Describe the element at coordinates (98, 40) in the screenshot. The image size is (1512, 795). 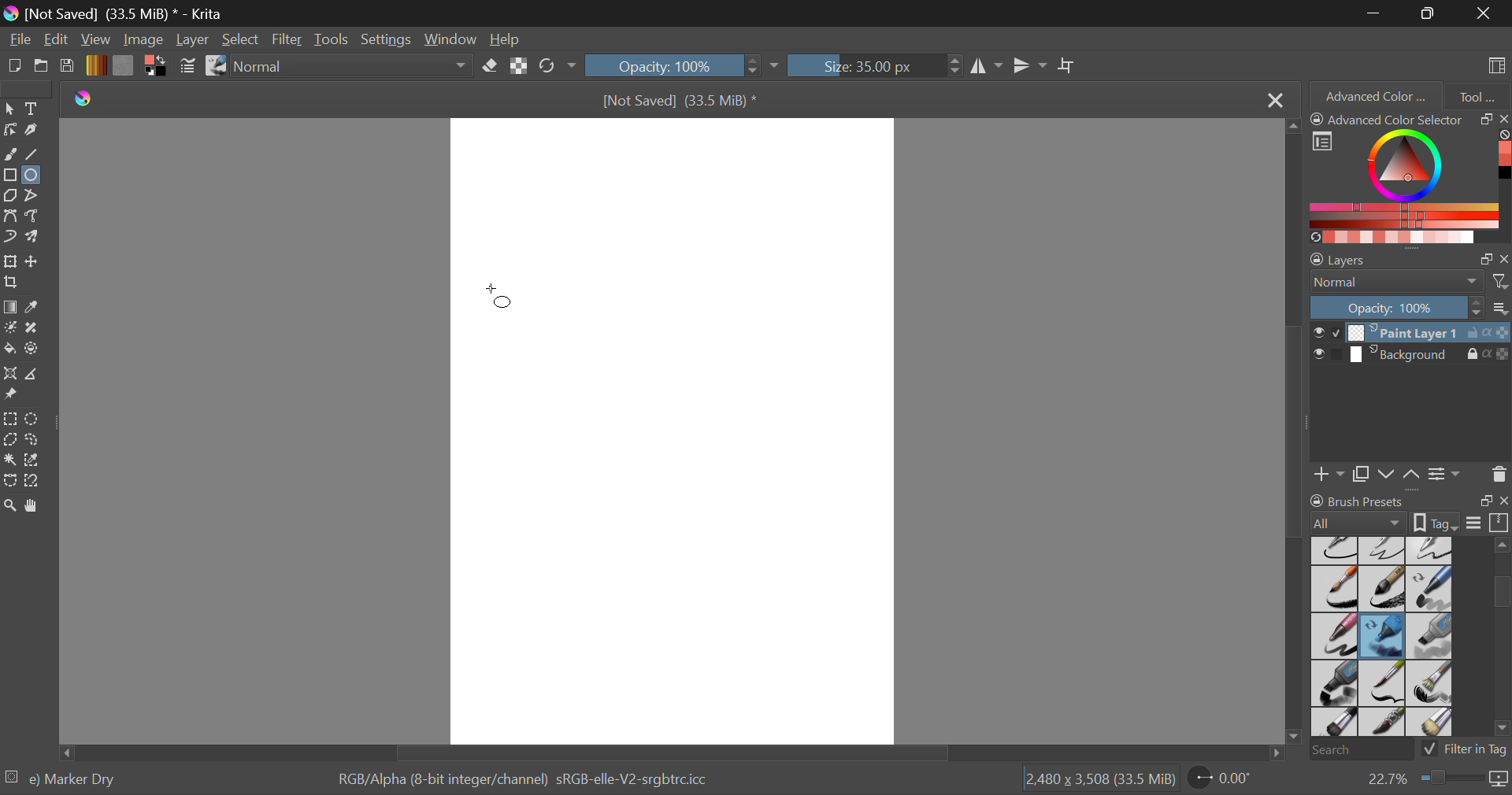
I see `View` at that location.